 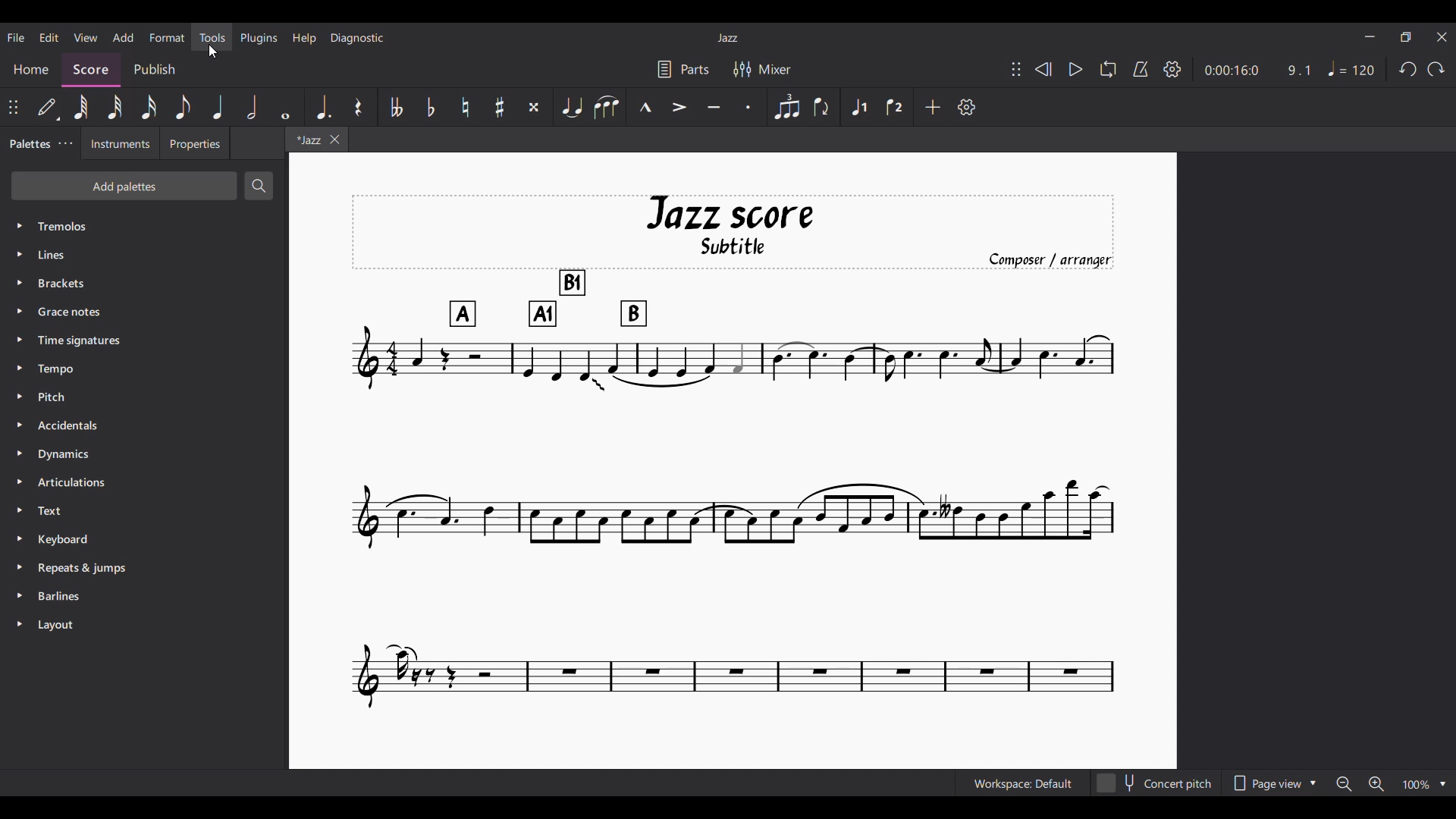 What do you see at coordinates (1172, 69) in the screenshot?
I see `Settings` at bounding box center [1172, 69].